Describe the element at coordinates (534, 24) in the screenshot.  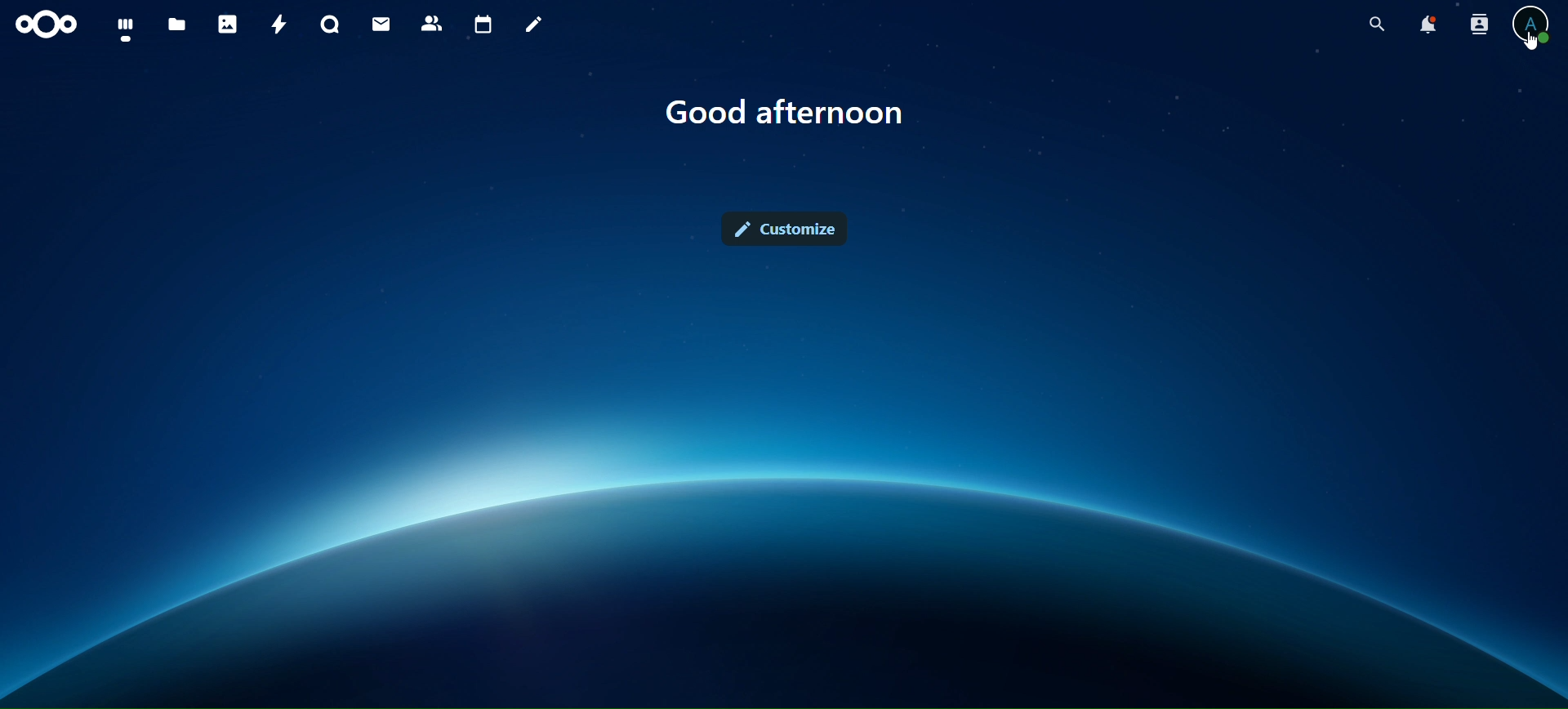
I see `notes` at that location.